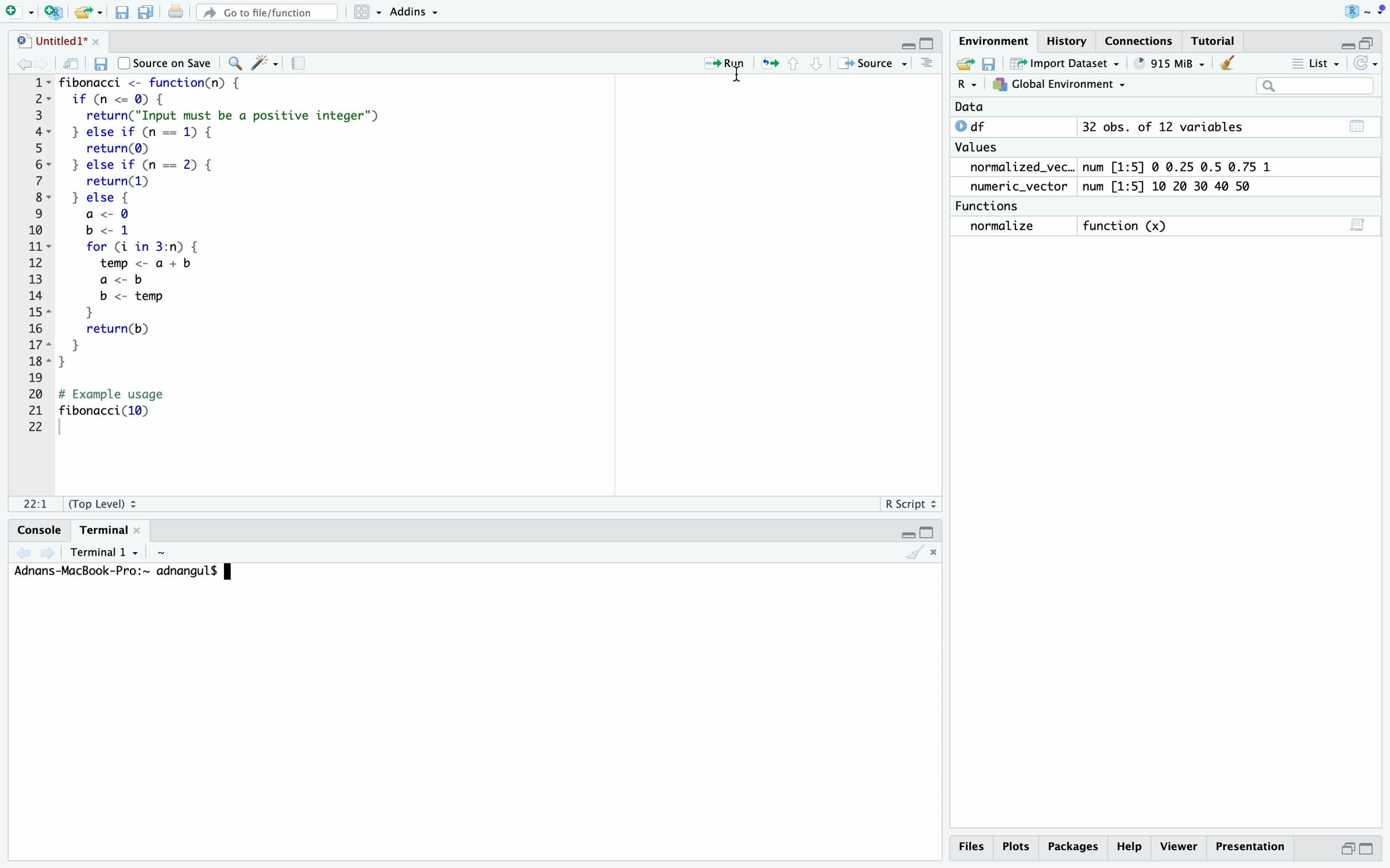 Image resolution: width=1390 pixels, height=868 pixels. Describe the element at coordinates (911, 505) in the screenshot. I see `R Script` at that location.